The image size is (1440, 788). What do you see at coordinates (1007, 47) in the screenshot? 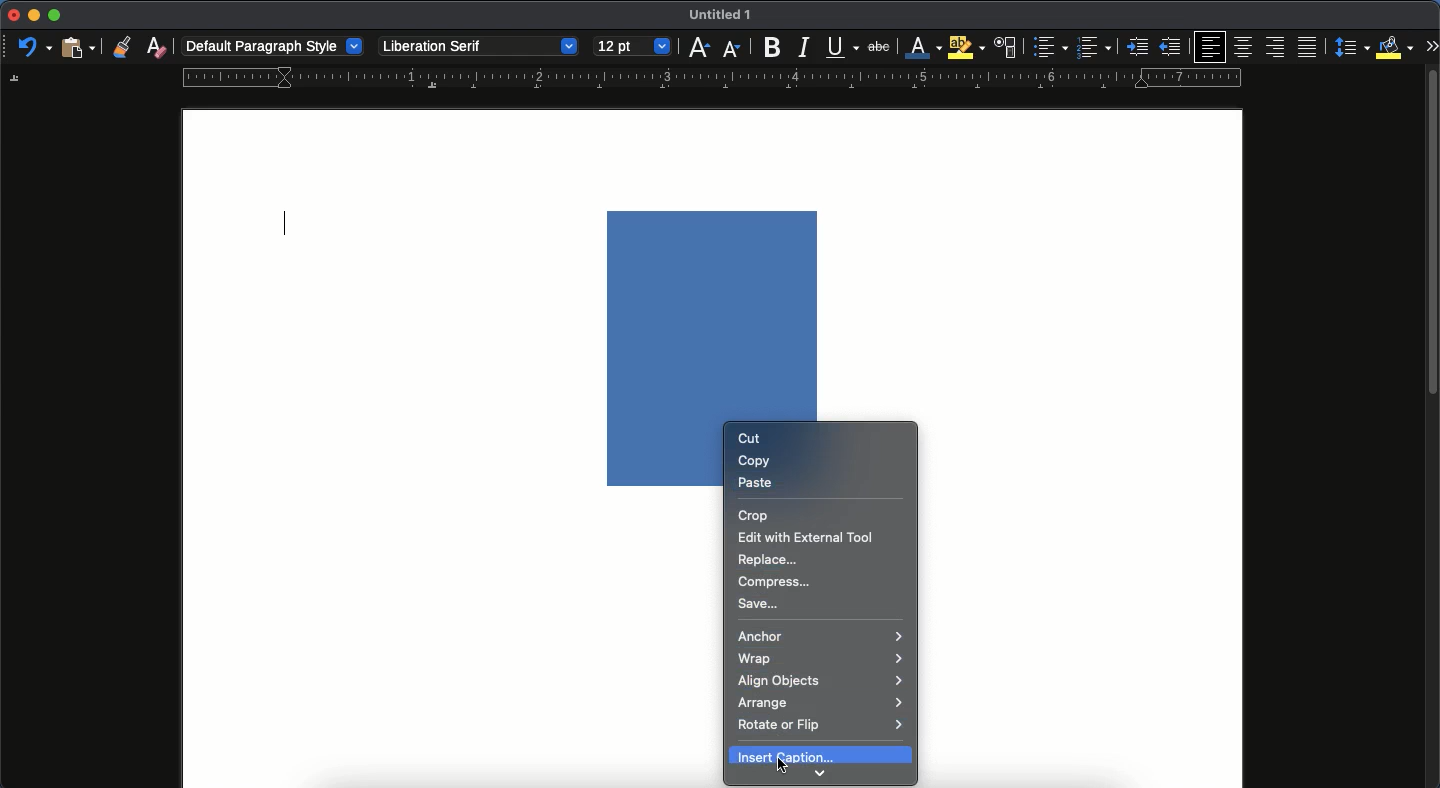
I see `character` at bounding box center [1007, 47].